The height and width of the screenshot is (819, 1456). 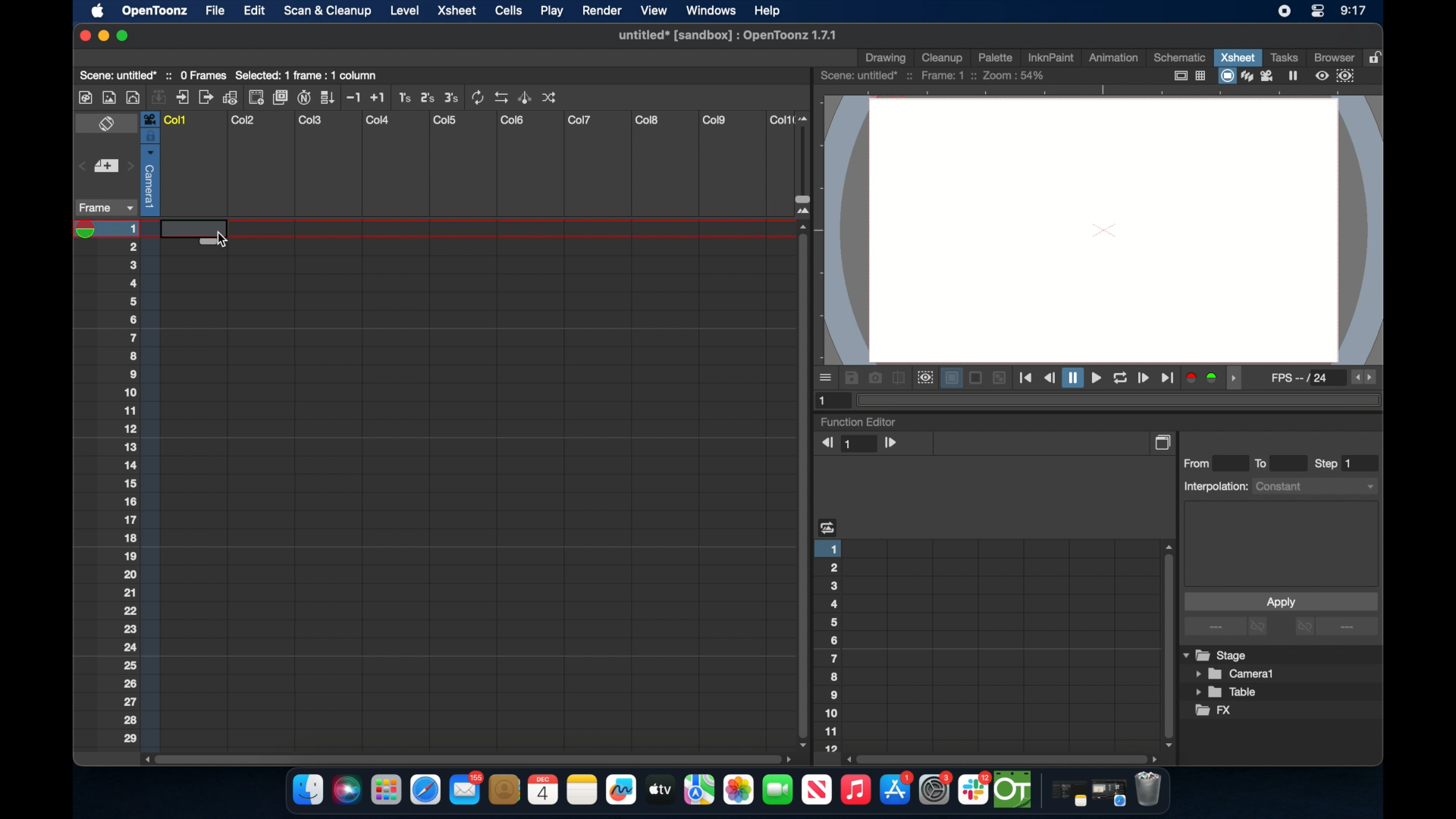 What do you see at coordinates (1335, 463) in the screenshot?
I see `step` at bounding box center [1335, 463].